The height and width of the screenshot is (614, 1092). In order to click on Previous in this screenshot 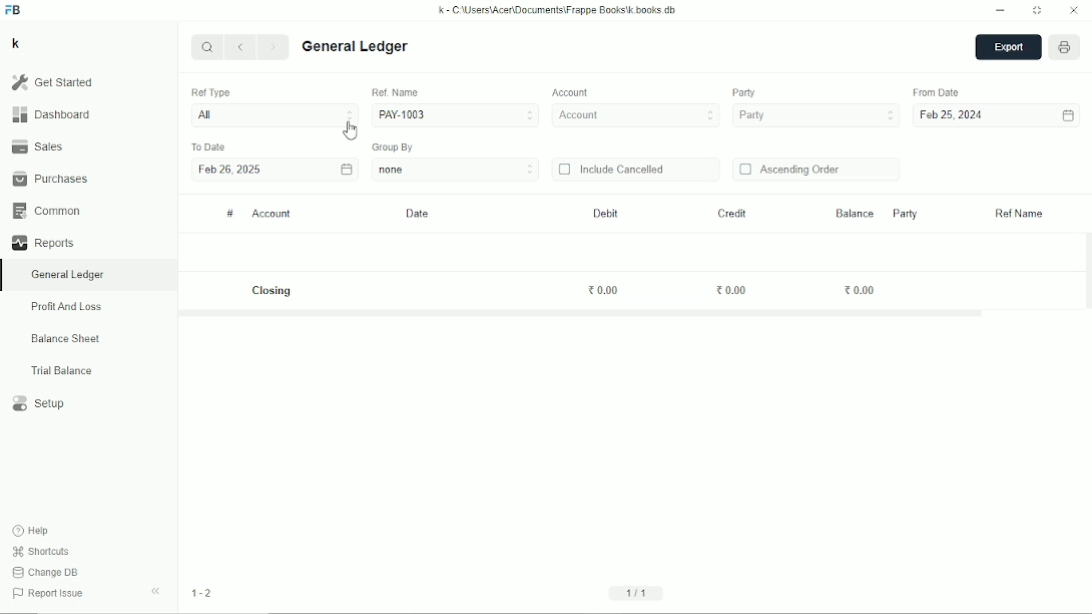, I will do `click(242, 48)`.